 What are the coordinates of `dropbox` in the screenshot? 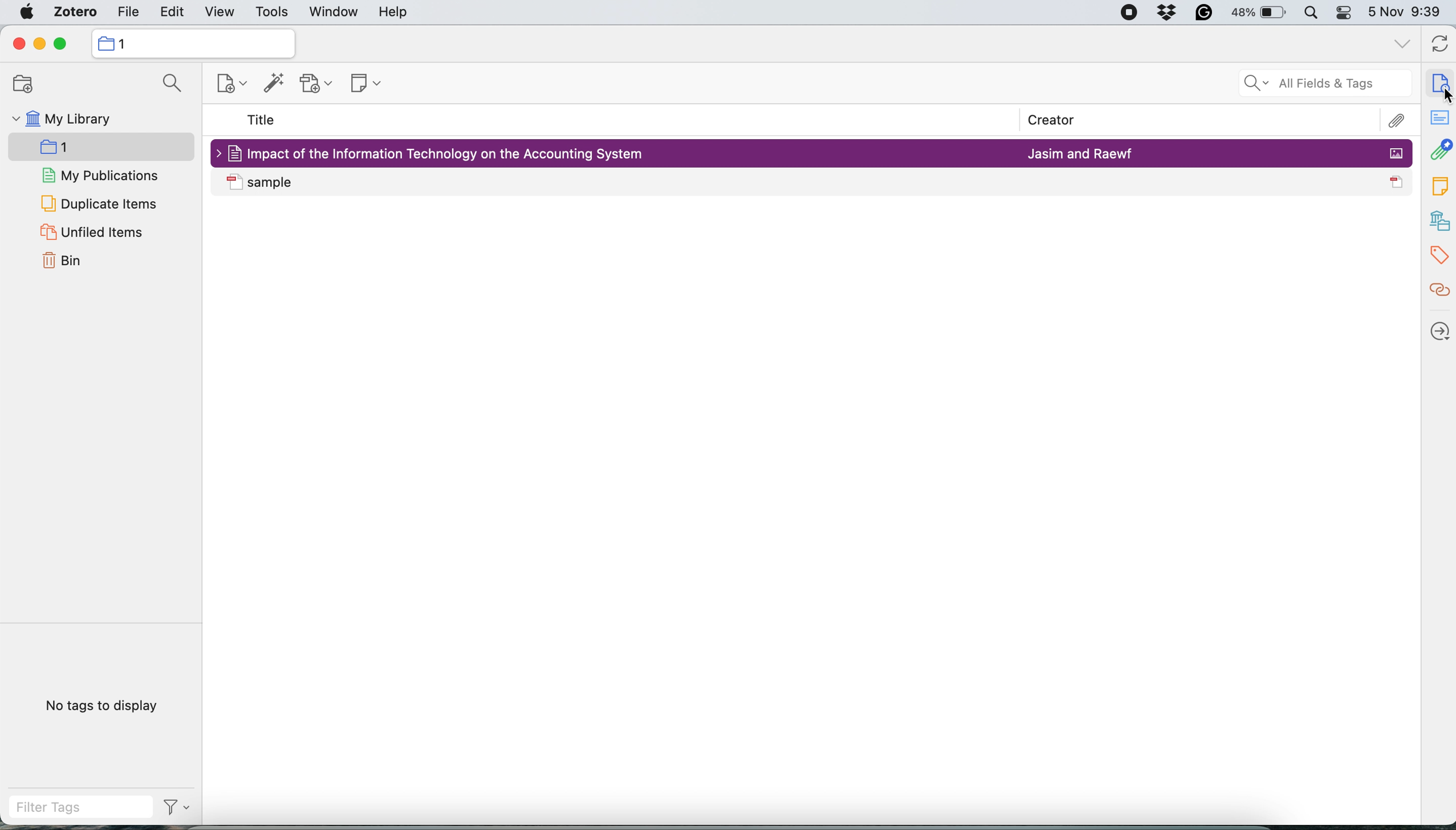 It's located at (1165, 12).